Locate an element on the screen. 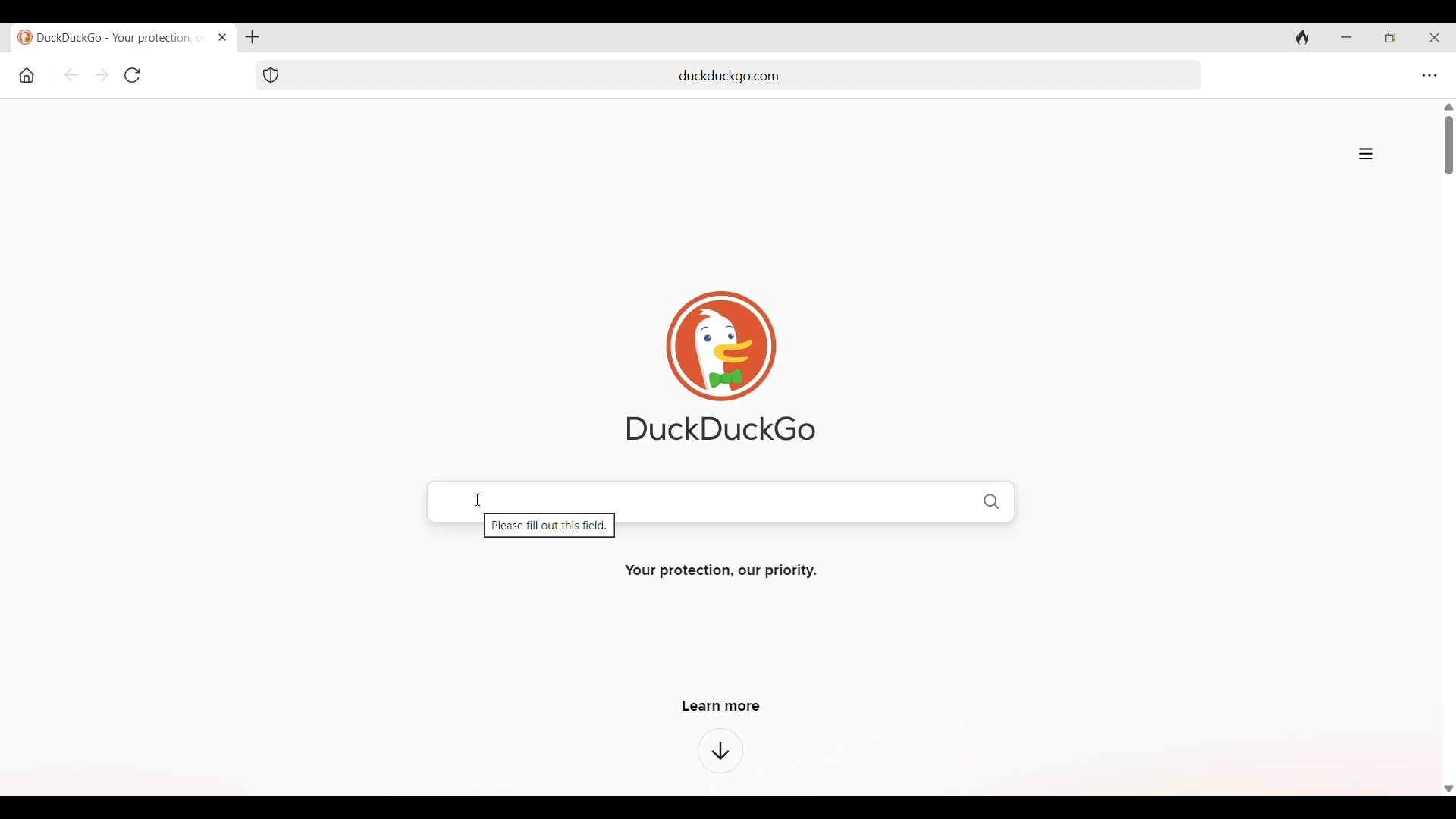 This screenshot has width=1456, height=819. Close tab is located at coordinates (223, 37).